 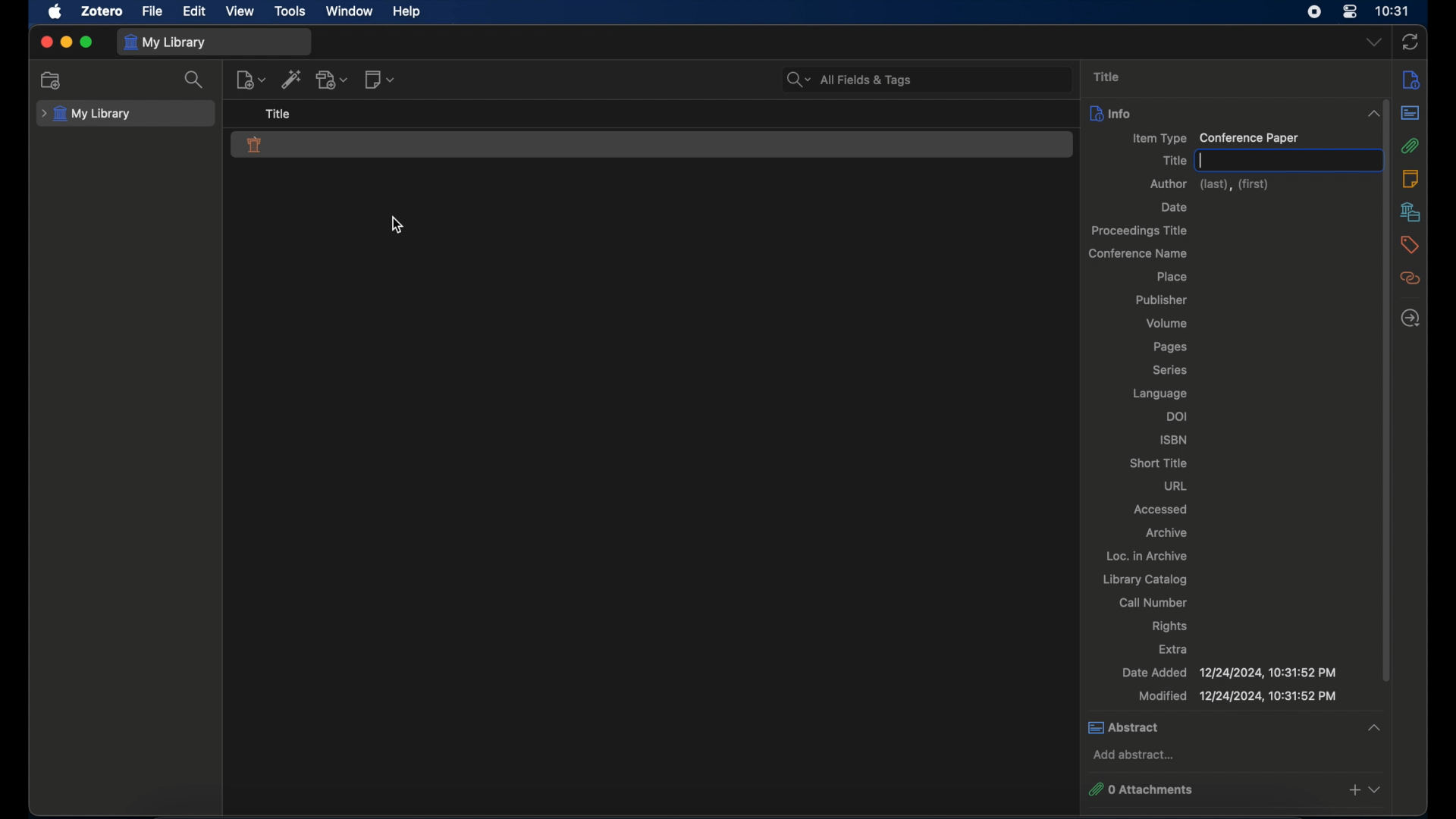 What do you see at coordinates (1410, 317) in the screenshot?
I see `locate` at bounding box center [1410, 317].